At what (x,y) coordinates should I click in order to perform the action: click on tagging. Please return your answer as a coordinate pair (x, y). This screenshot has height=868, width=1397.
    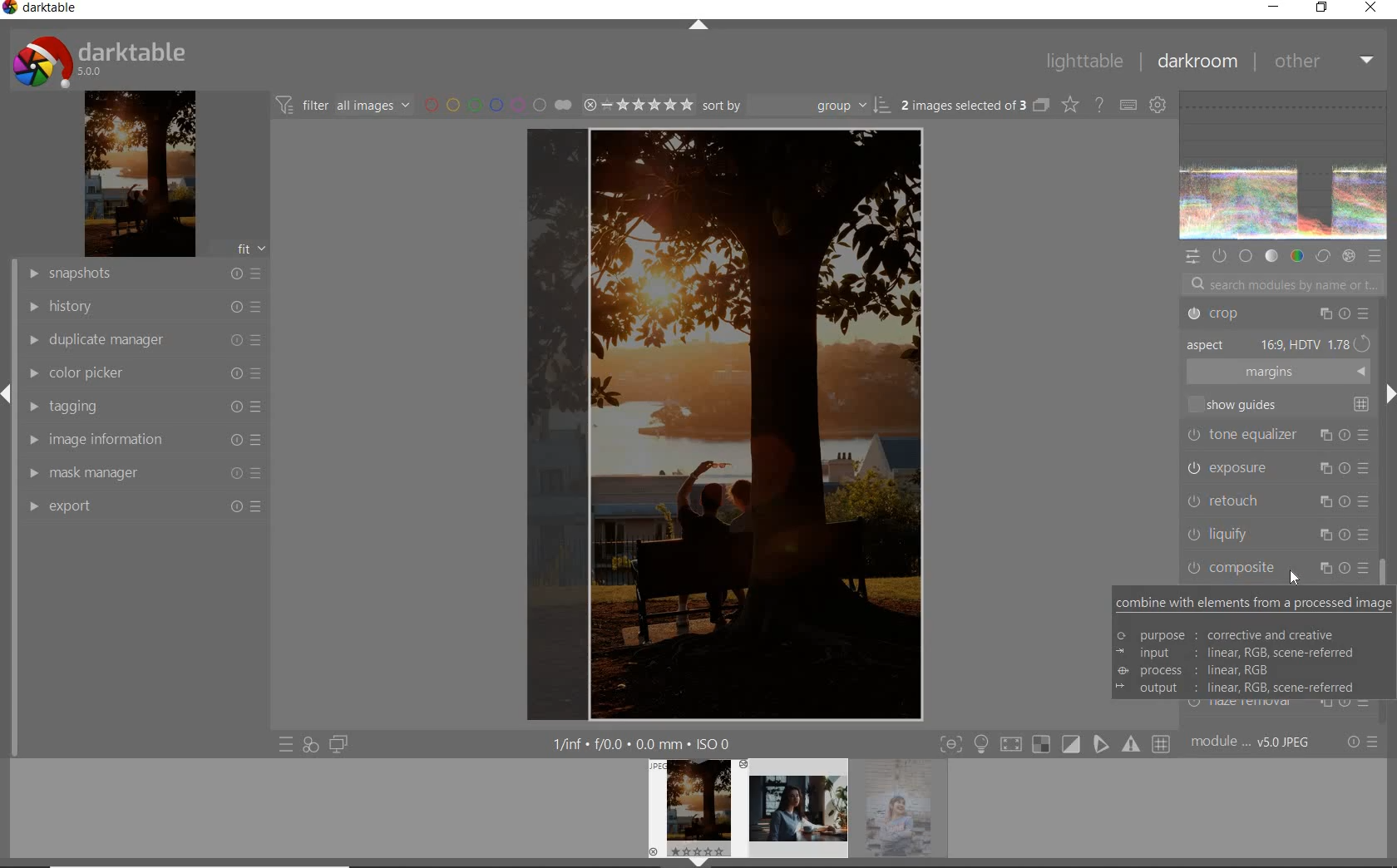
    Looking at the image, I should click on (143, 405).